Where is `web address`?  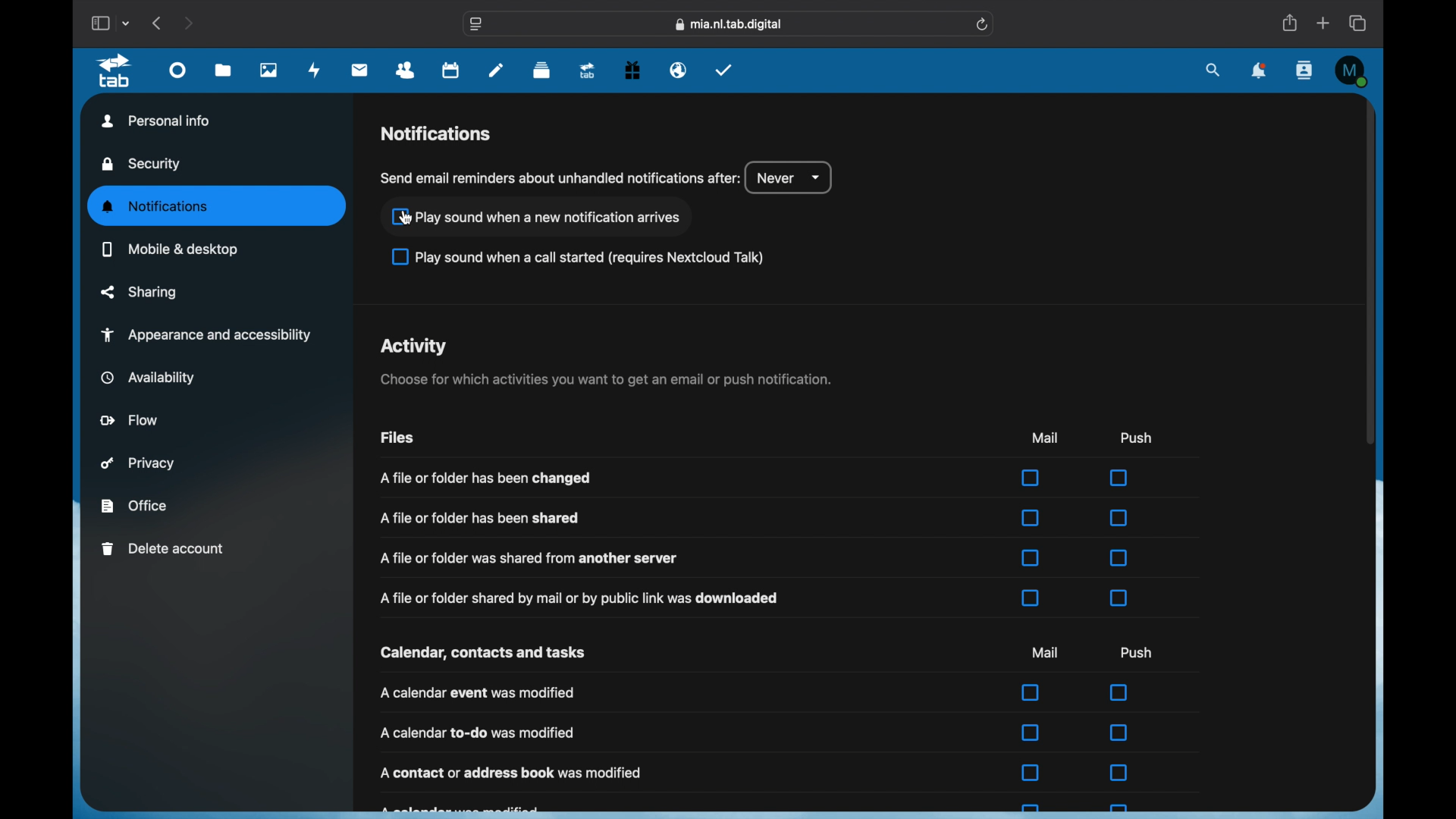
web address is located at coordinates (730, 24).